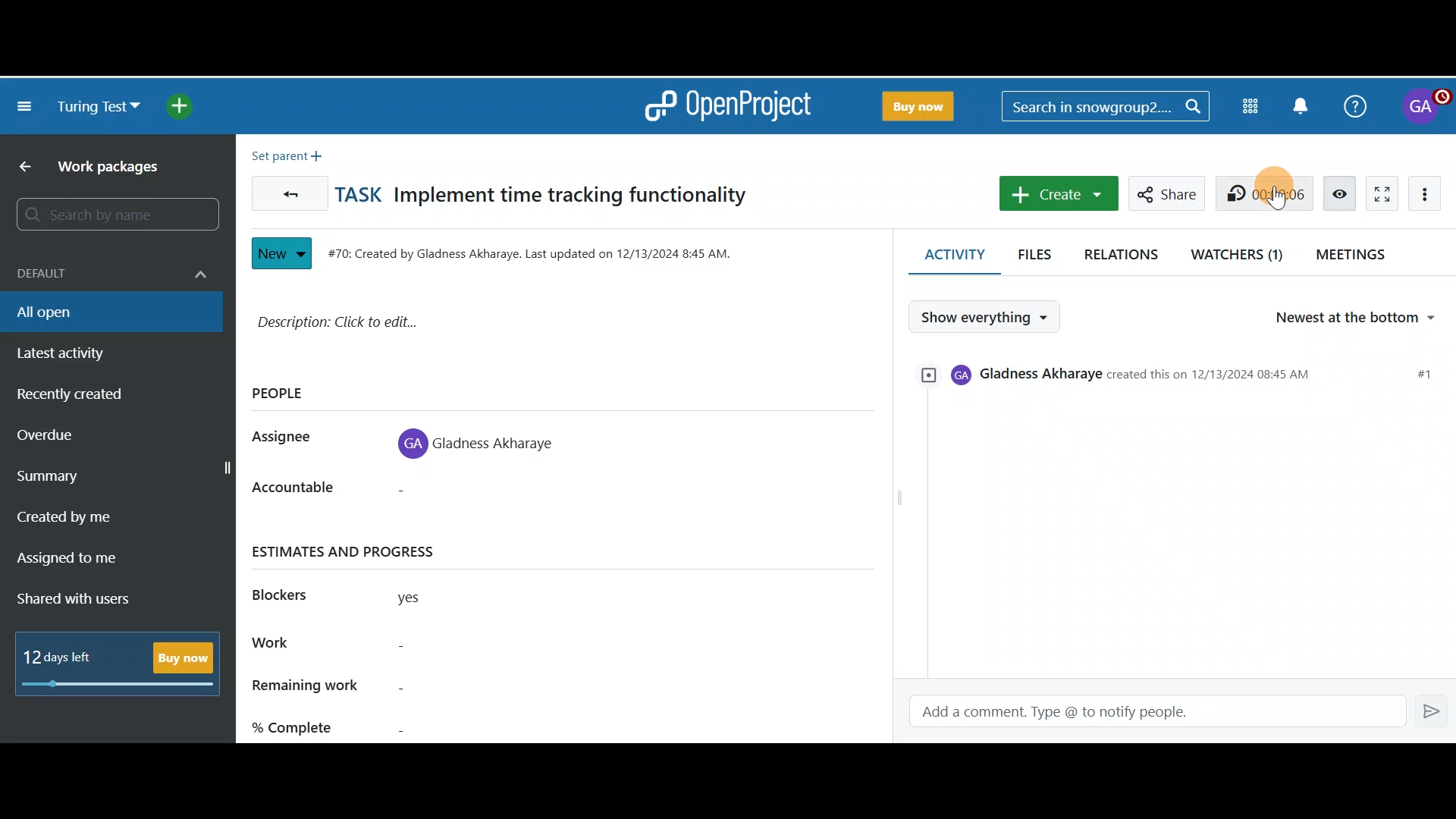  What do you see at coordinates (120, 479) in the screenshot?
I see `Summary` at bounding box center [120, 479].